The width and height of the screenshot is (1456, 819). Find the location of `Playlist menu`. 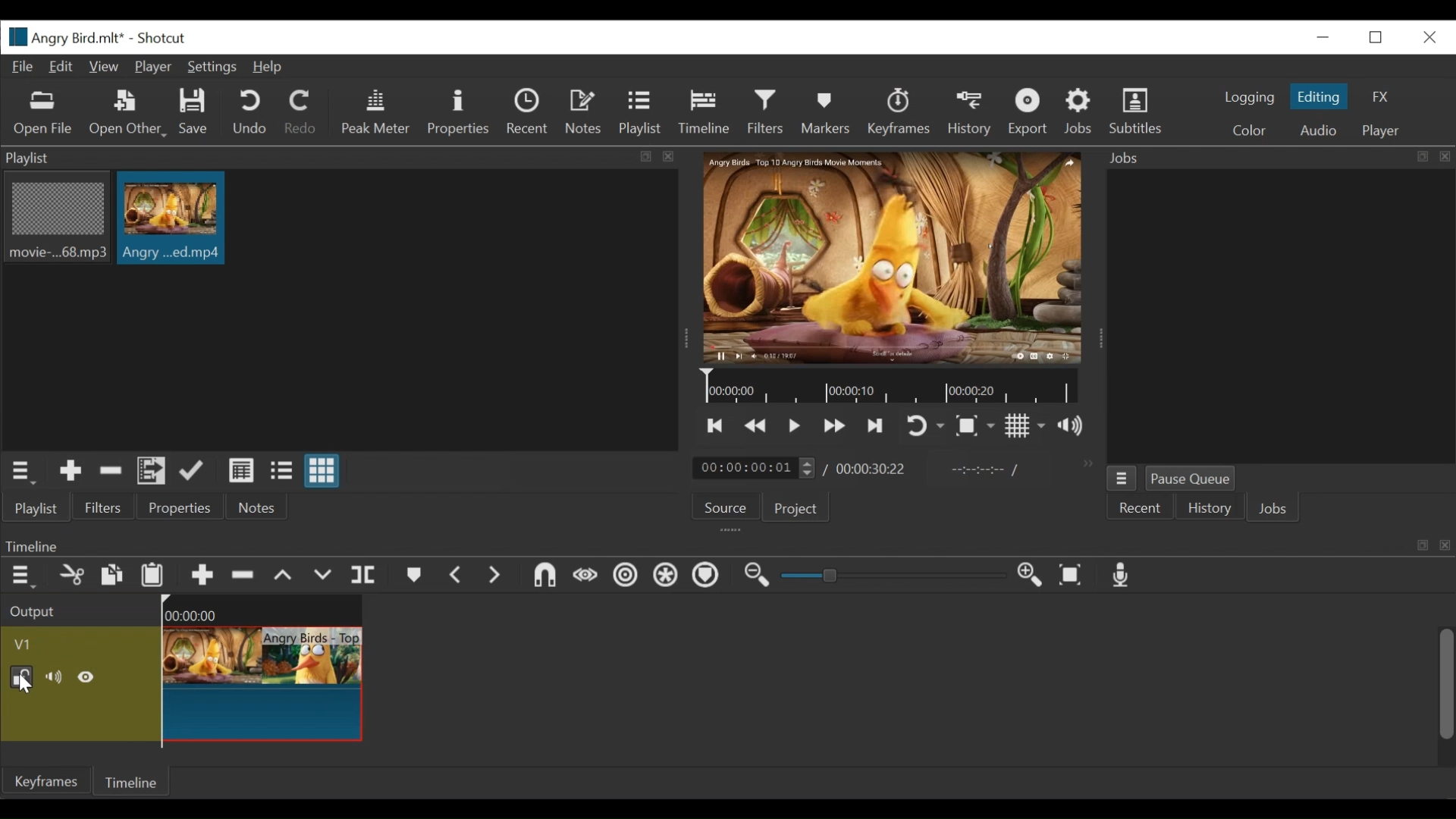

Playlist menu is located at coordinates (24, 473).